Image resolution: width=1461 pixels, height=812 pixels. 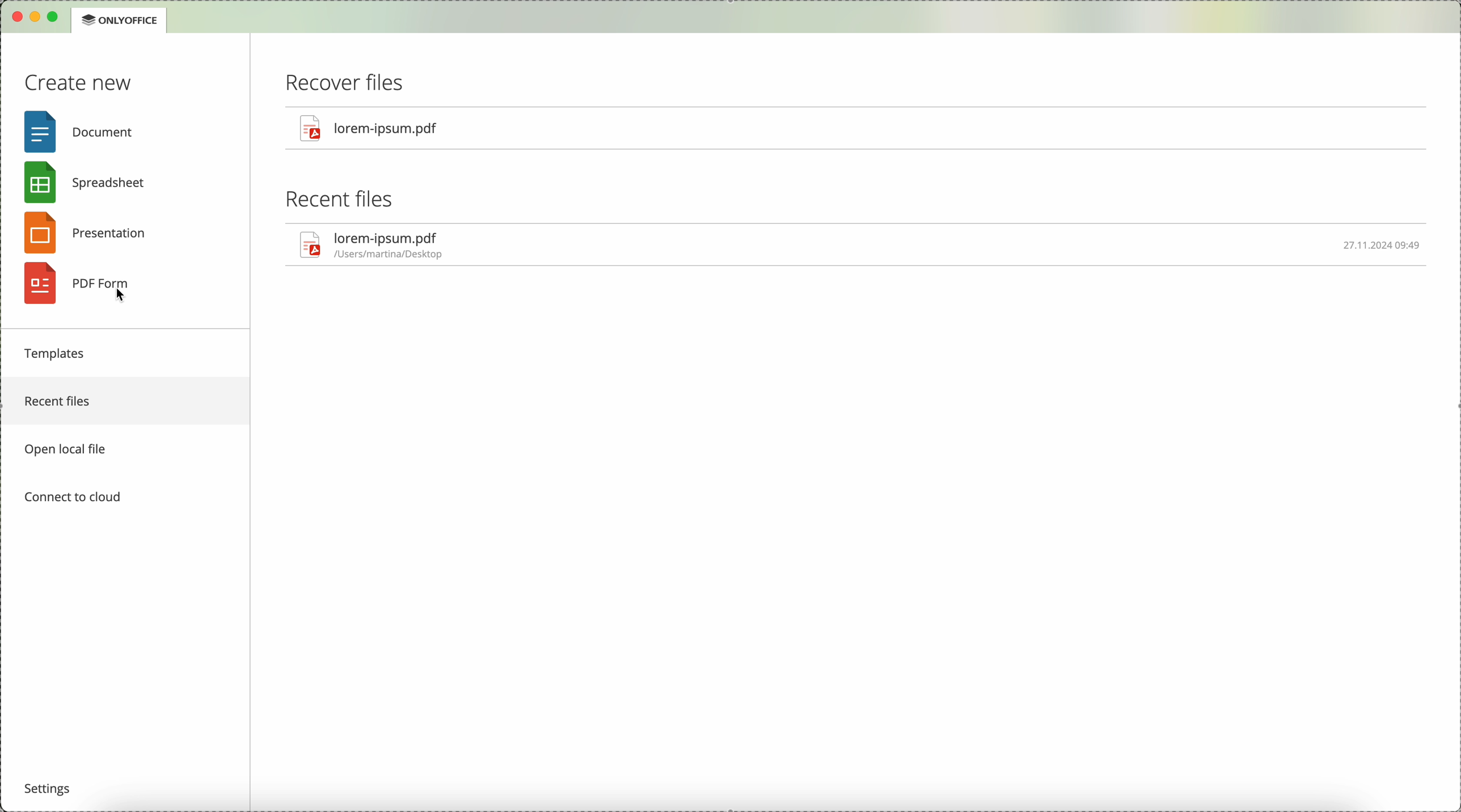 What do you see at coordinates (79, 130) in the screenshot?
I see `document` at bounding box center [79, 130].